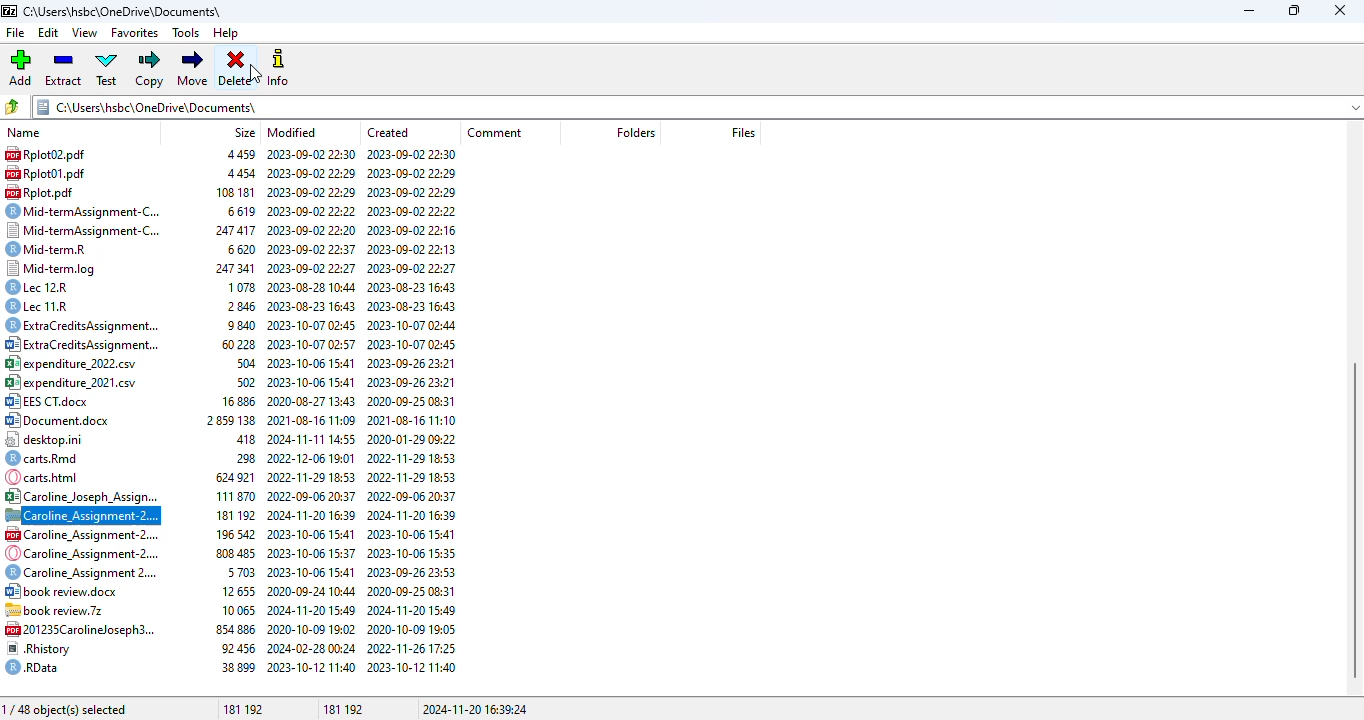 The width and height of the screenshot is (1364, 720). What do you see at coordinates (225, 33) in the screenshot?
I see `help` at bounding box center [225, 33].